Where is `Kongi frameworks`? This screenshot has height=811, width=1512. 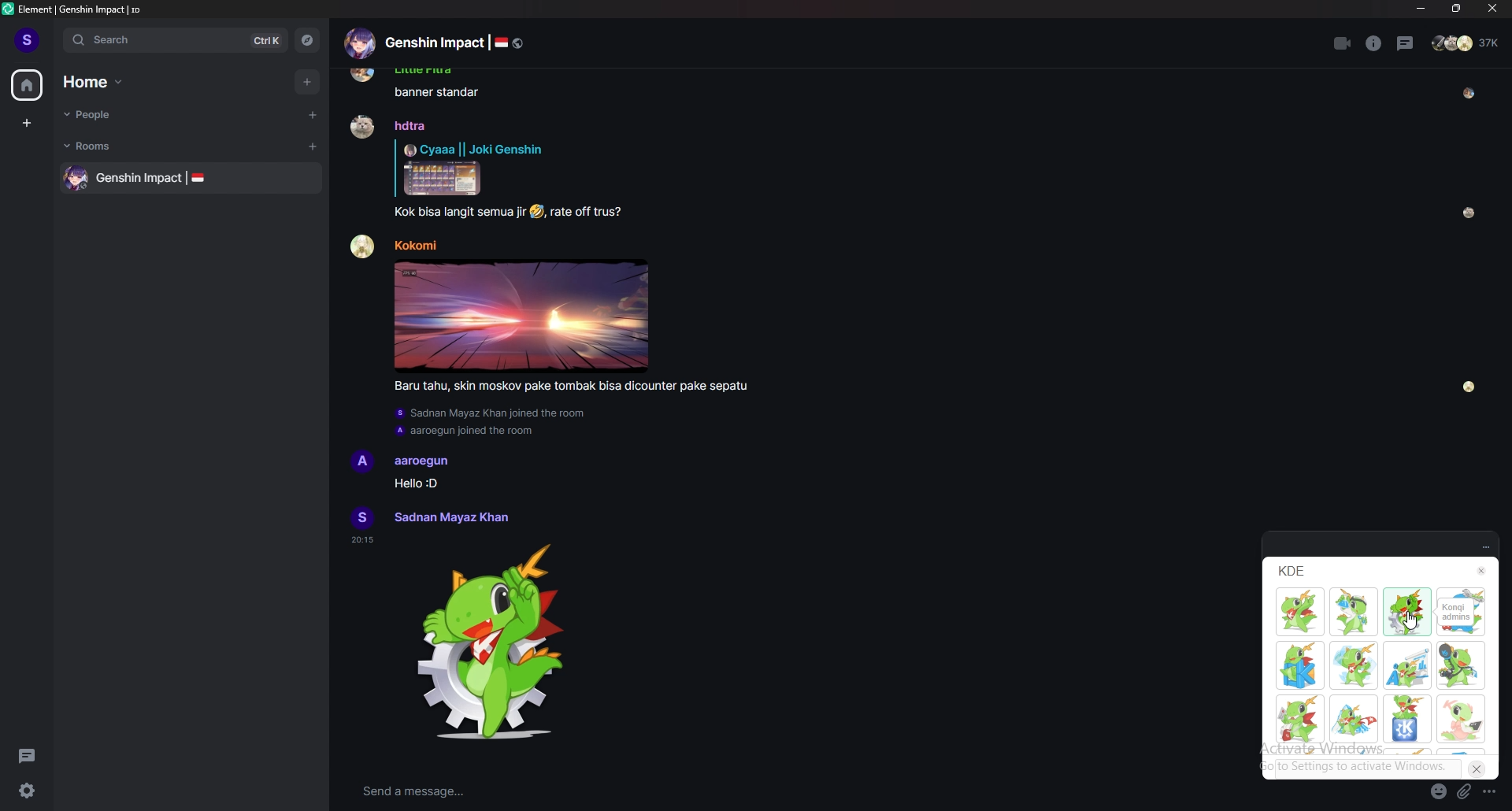 Kongi frameworks is located at coordinates (1300, 665).